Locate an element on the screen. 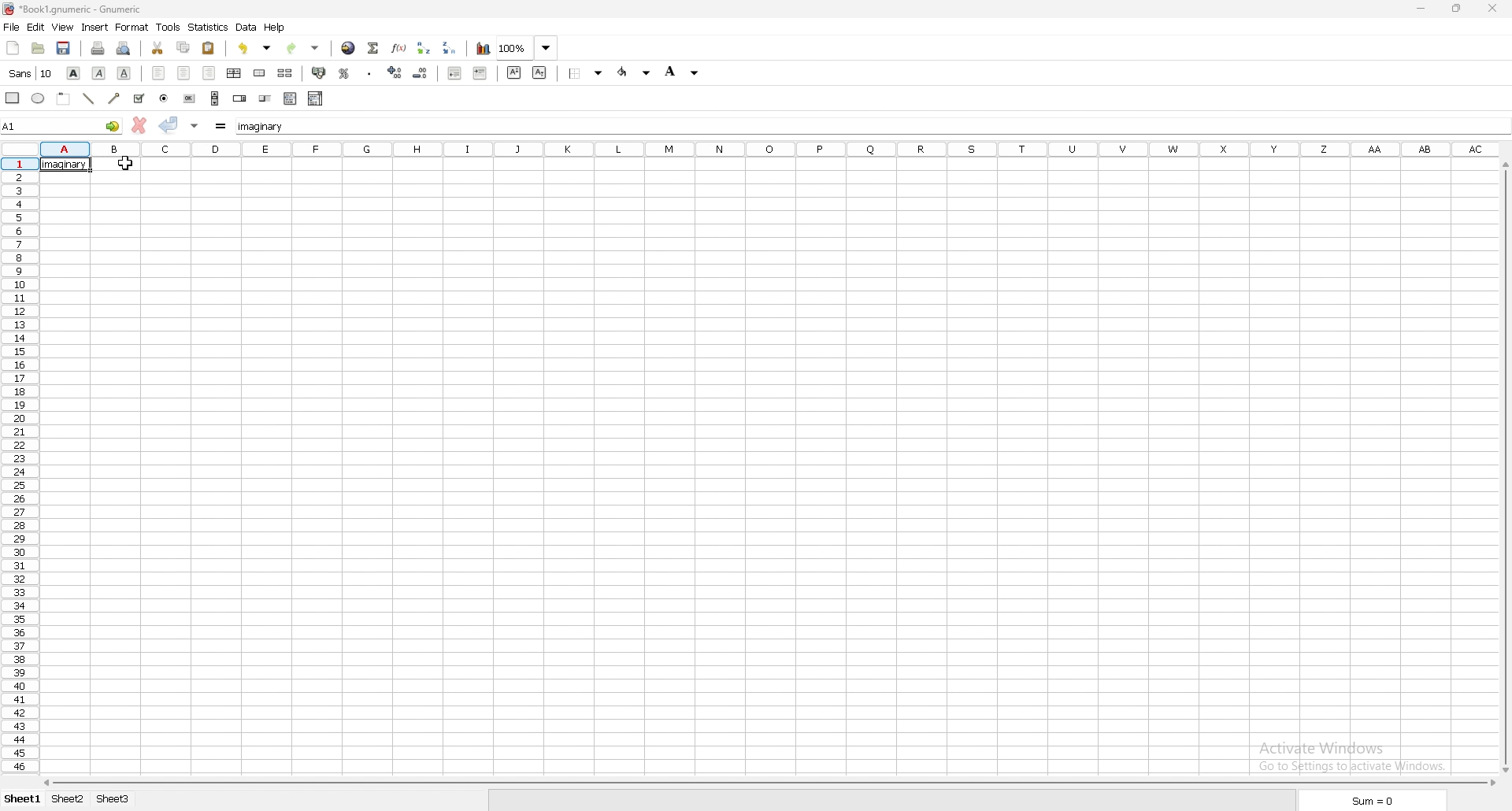  subscript is located at coordinates (540, 72).